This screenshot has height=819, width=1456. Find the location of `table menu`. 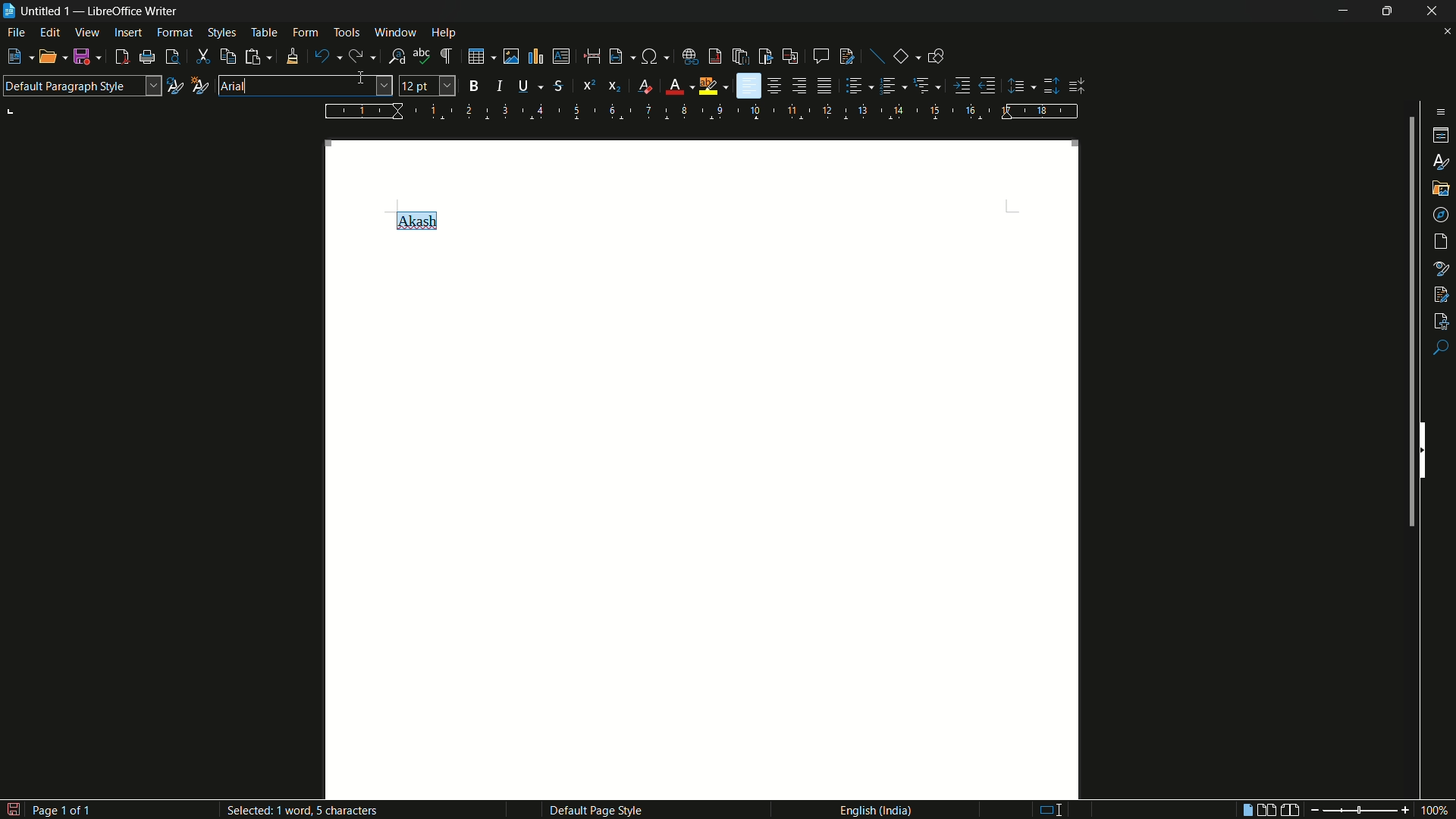

table menu is located at coordinates (264, 33).